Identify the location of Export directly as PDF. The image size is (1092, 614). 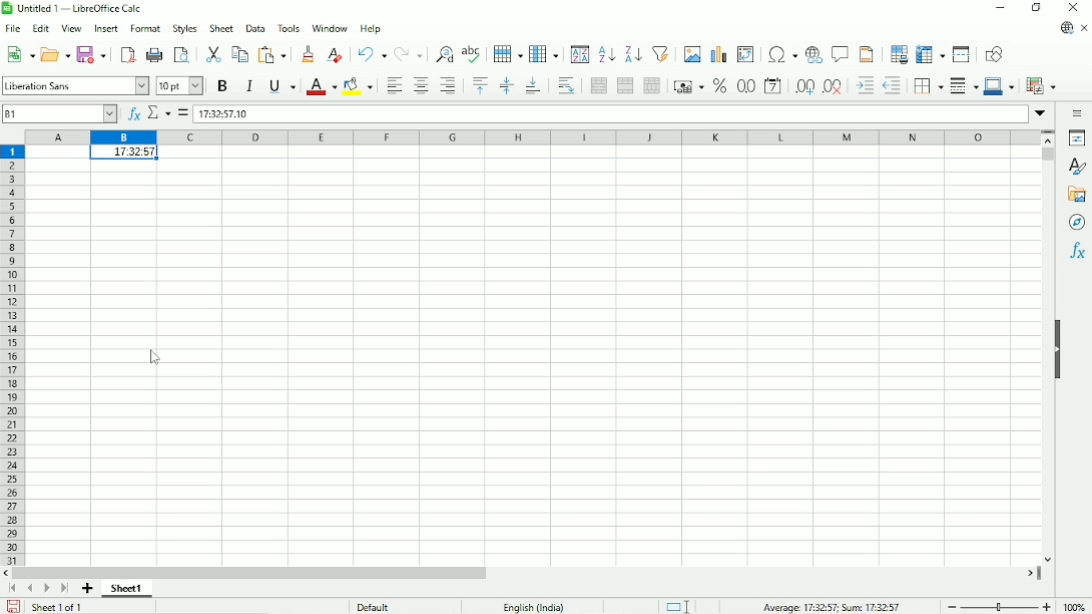
(129, 54).